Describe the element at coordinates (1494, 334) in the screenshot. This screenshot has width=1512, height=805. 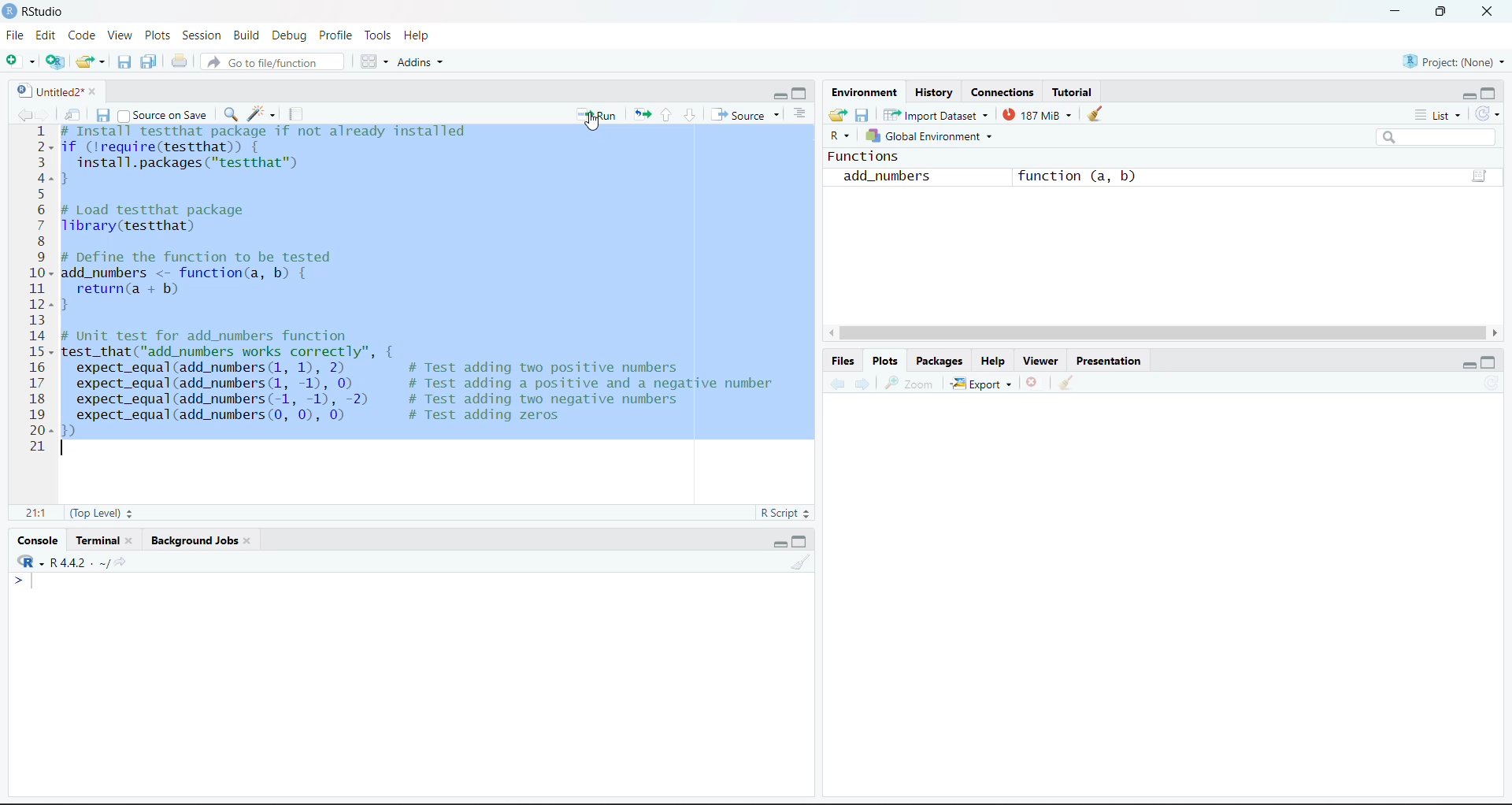
I see `scroll right` at that location.